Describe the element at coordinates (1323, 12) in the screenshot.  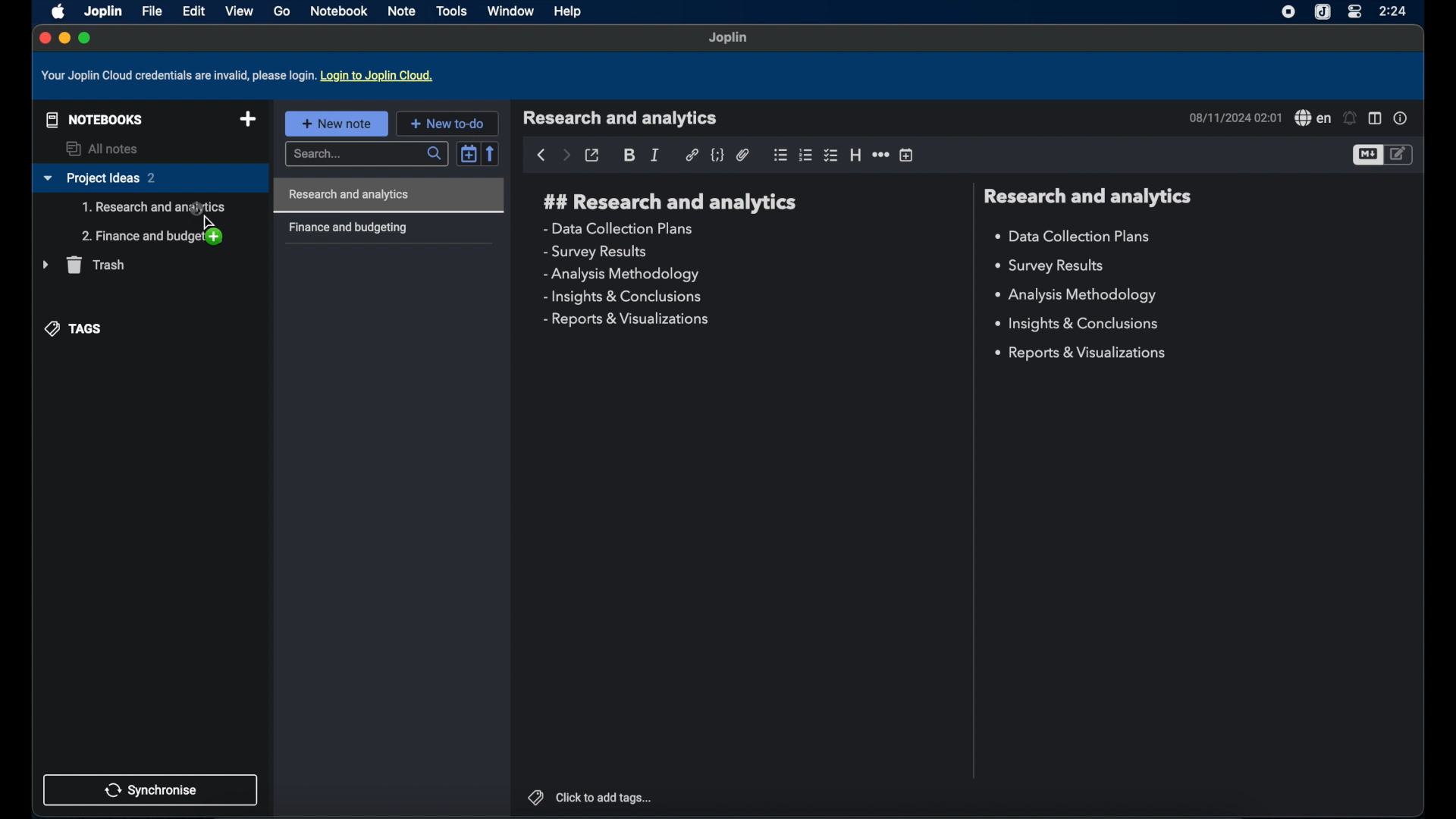
I see `joplin icon` at that location.